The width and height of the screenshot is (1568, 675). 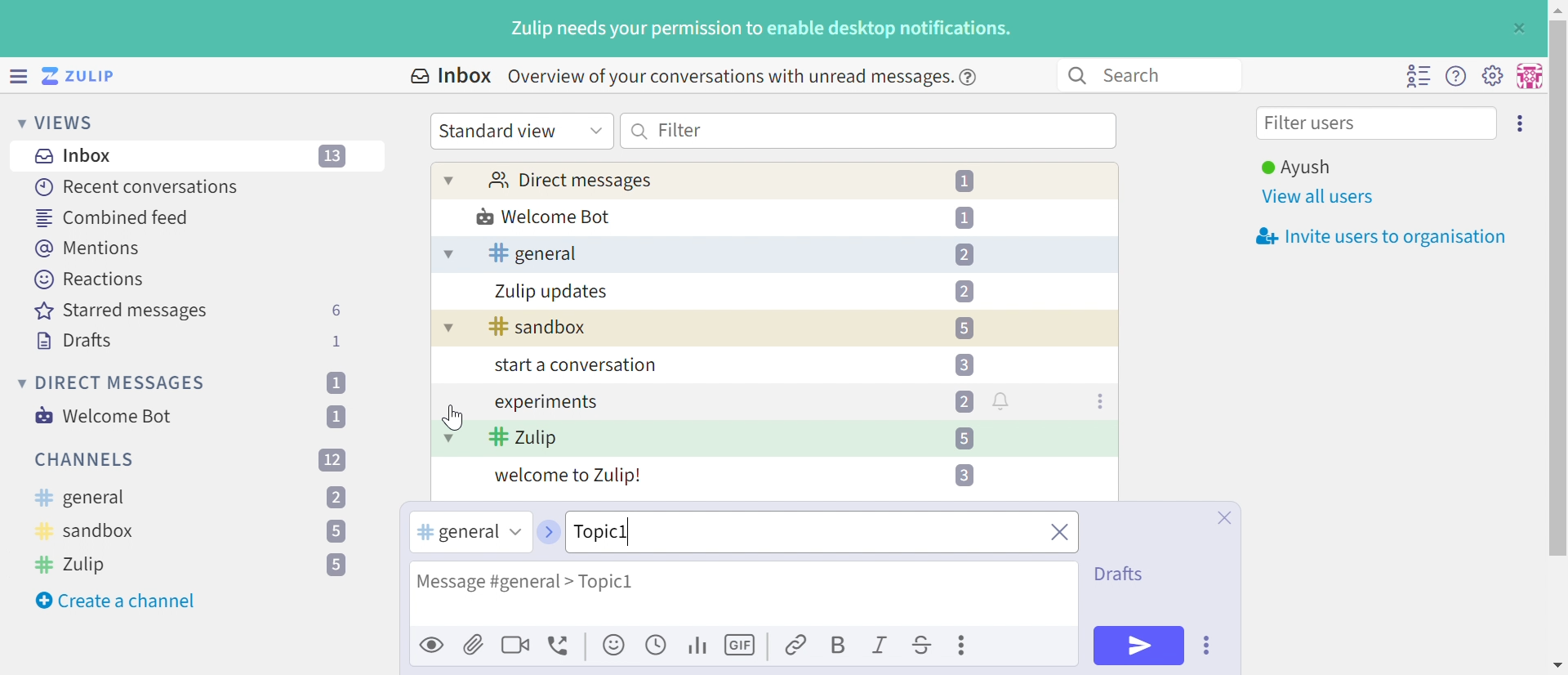 I want to click on 13, so click(x=334, y=157).